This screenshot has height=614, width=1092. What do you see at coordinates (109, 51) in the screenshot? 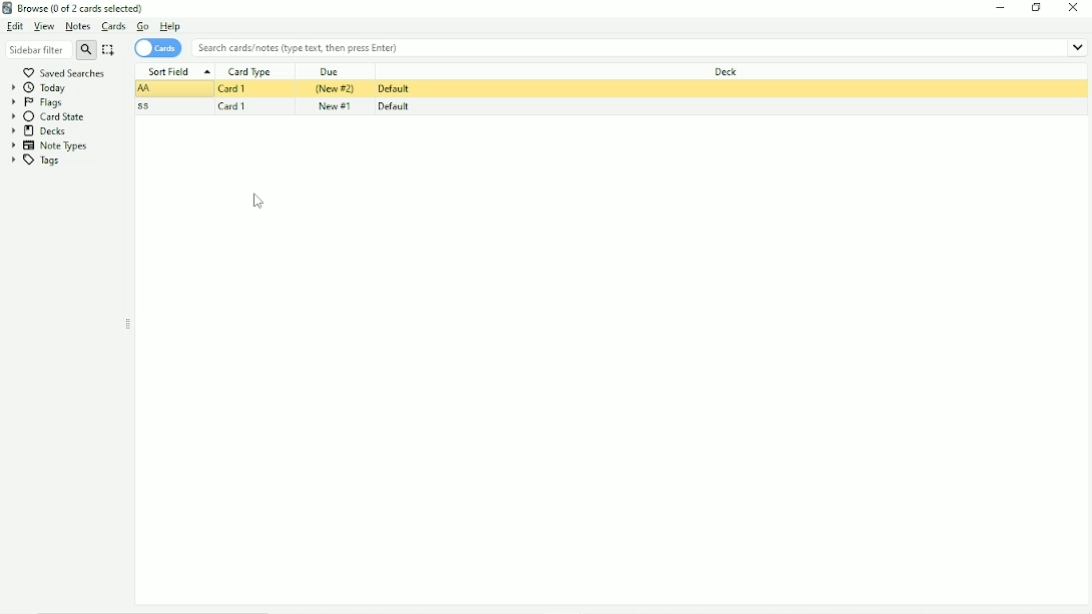
I see `Select` at bounding box center [109, 51].